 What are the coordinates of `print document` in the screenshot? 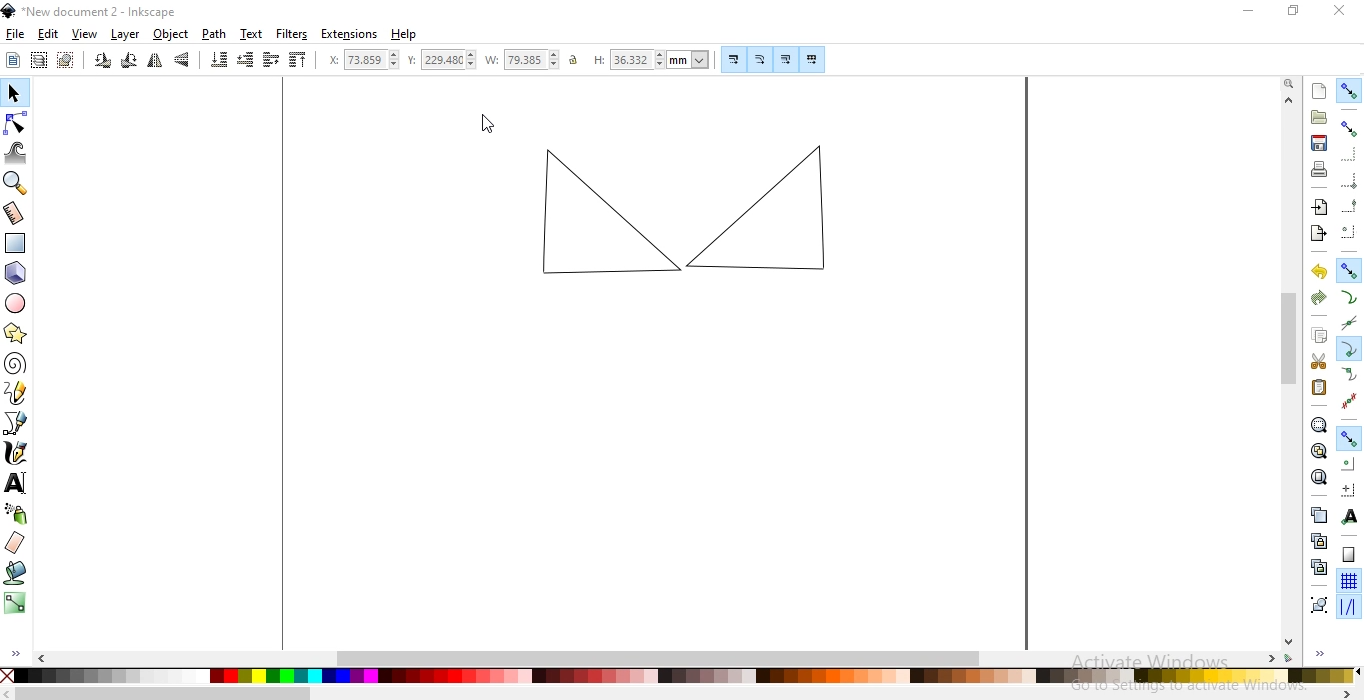 It's located at (1320, 168).